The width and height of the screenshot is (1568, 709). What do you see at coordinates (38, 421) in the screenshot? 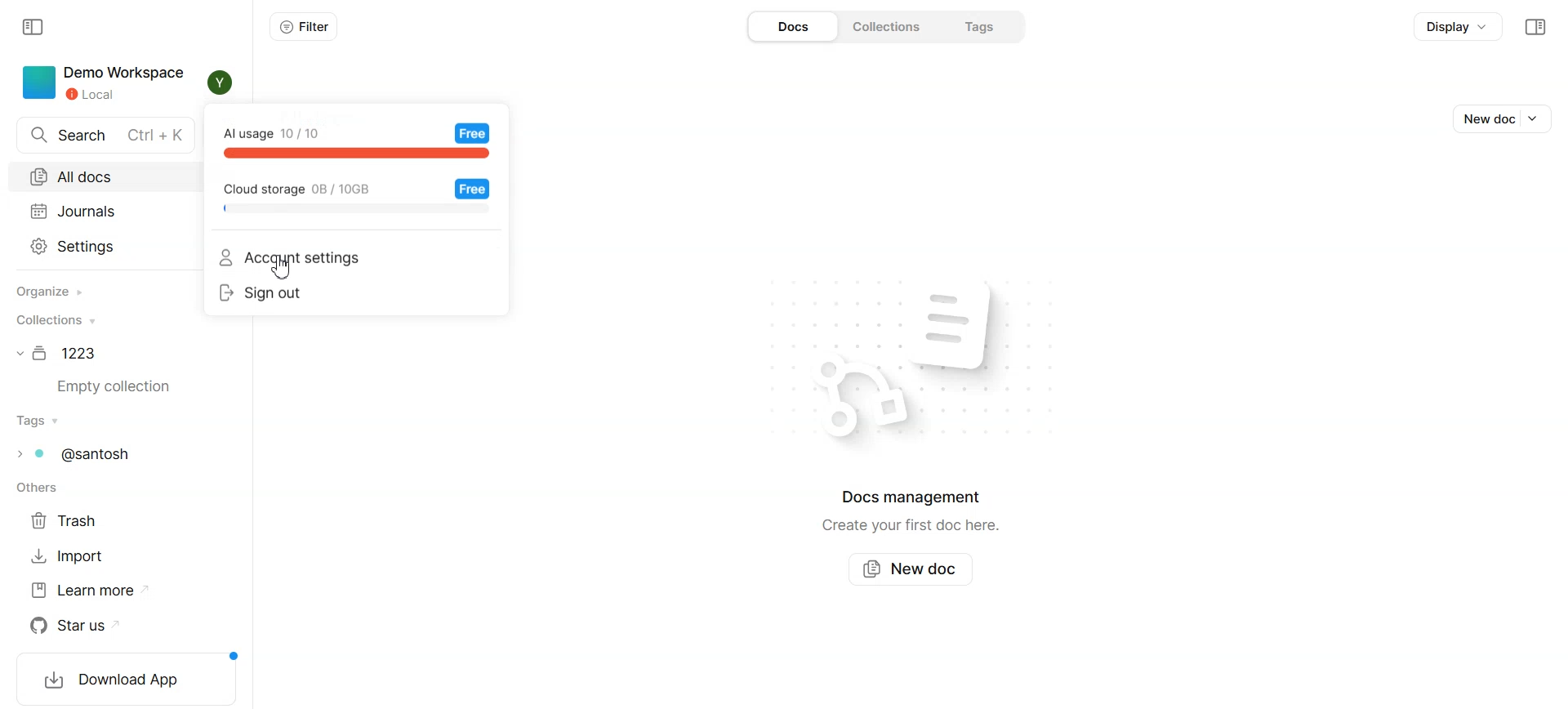
I see `Tags` at bounding box center [38, 421].